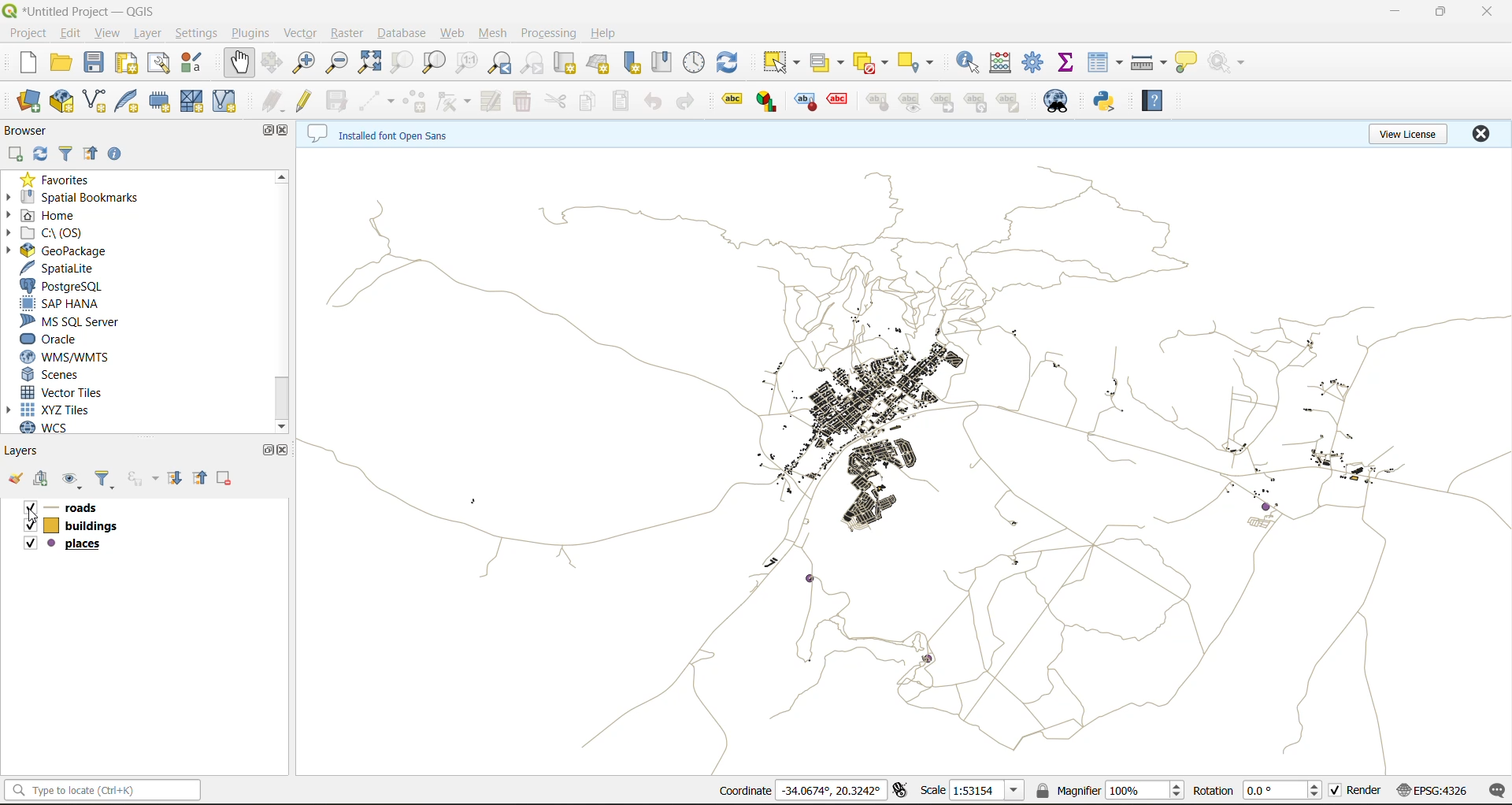 The height and width of the screenshot is (805, 1512). Describe the element at coordinates (806, 103) in the screenshot. I see `labels toolbar 3` at that location.